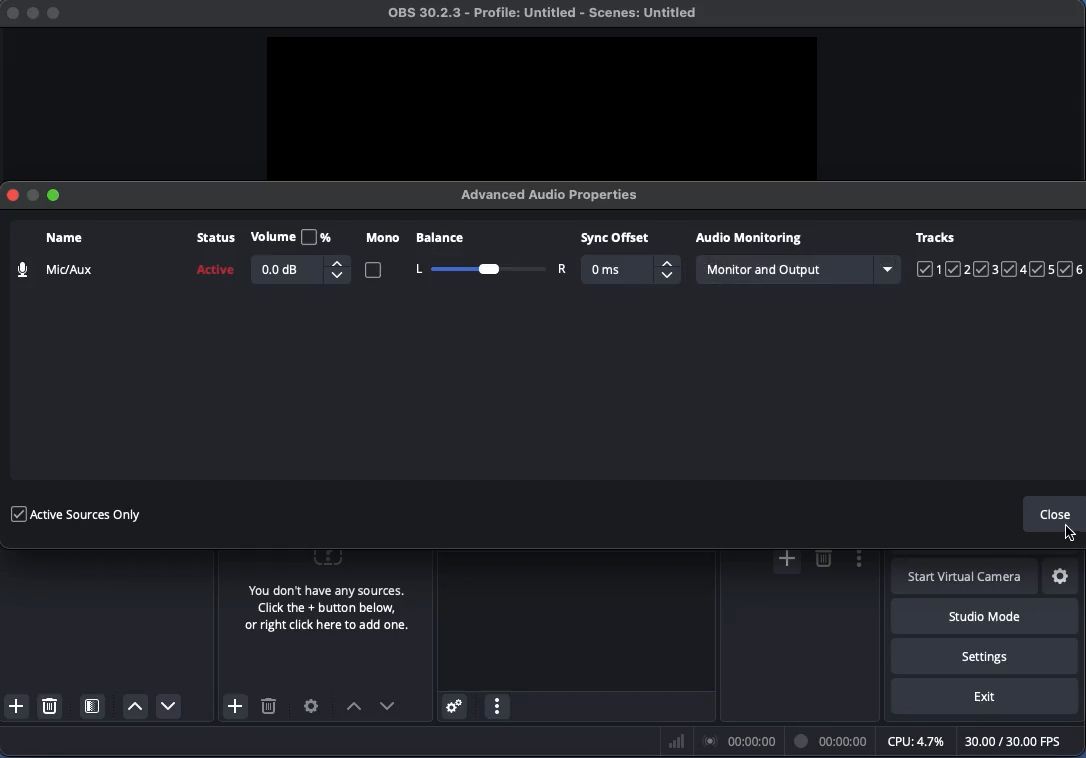 Image resolution: width=1086 pixels, height=758 pixels. What do you see at coordinates (785, 561) in the screenshot?
I see `add` at bounding box center [785, 561].